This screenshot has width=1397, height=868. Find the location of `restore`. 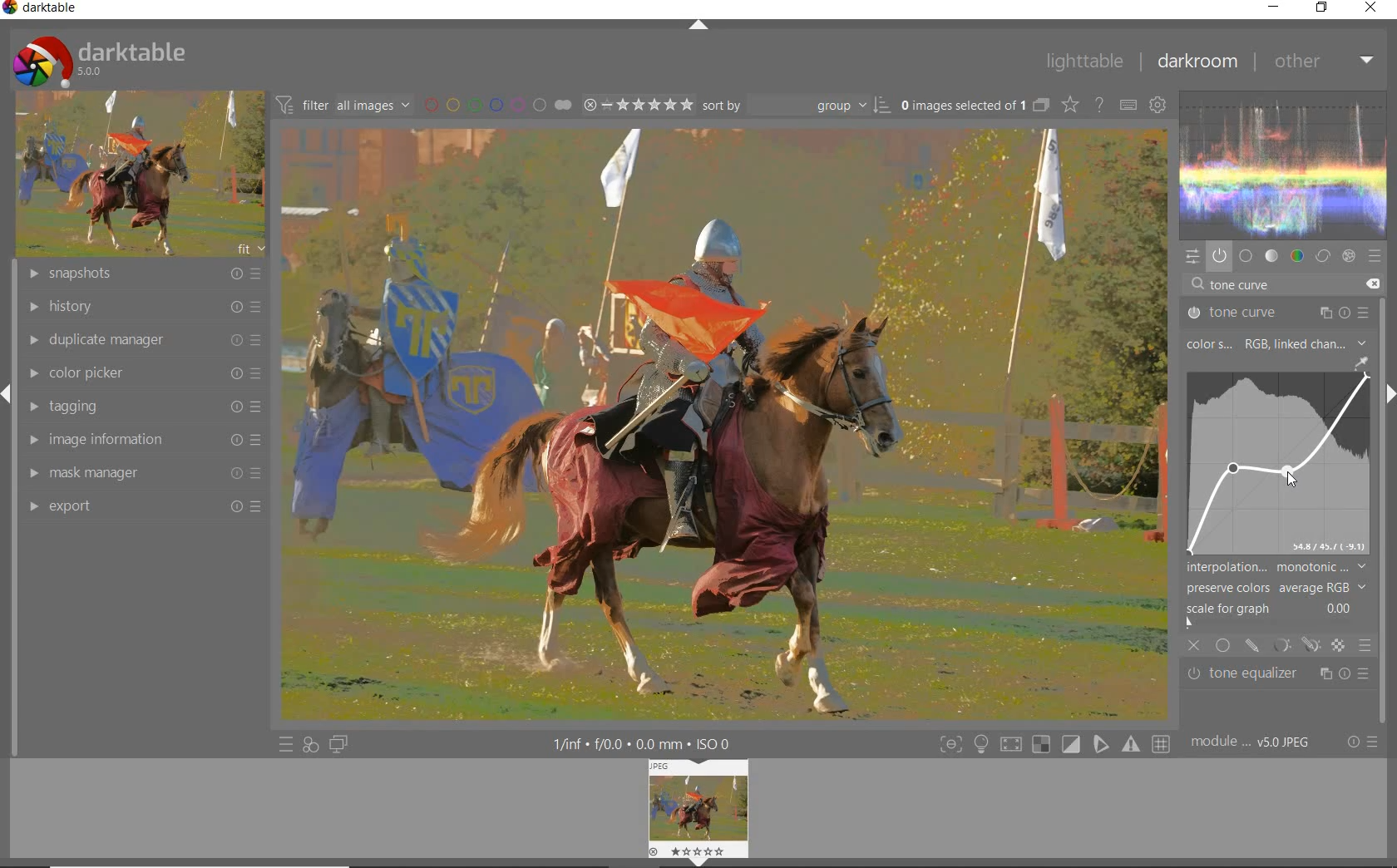

restore is located at coordinates (1322, 7).